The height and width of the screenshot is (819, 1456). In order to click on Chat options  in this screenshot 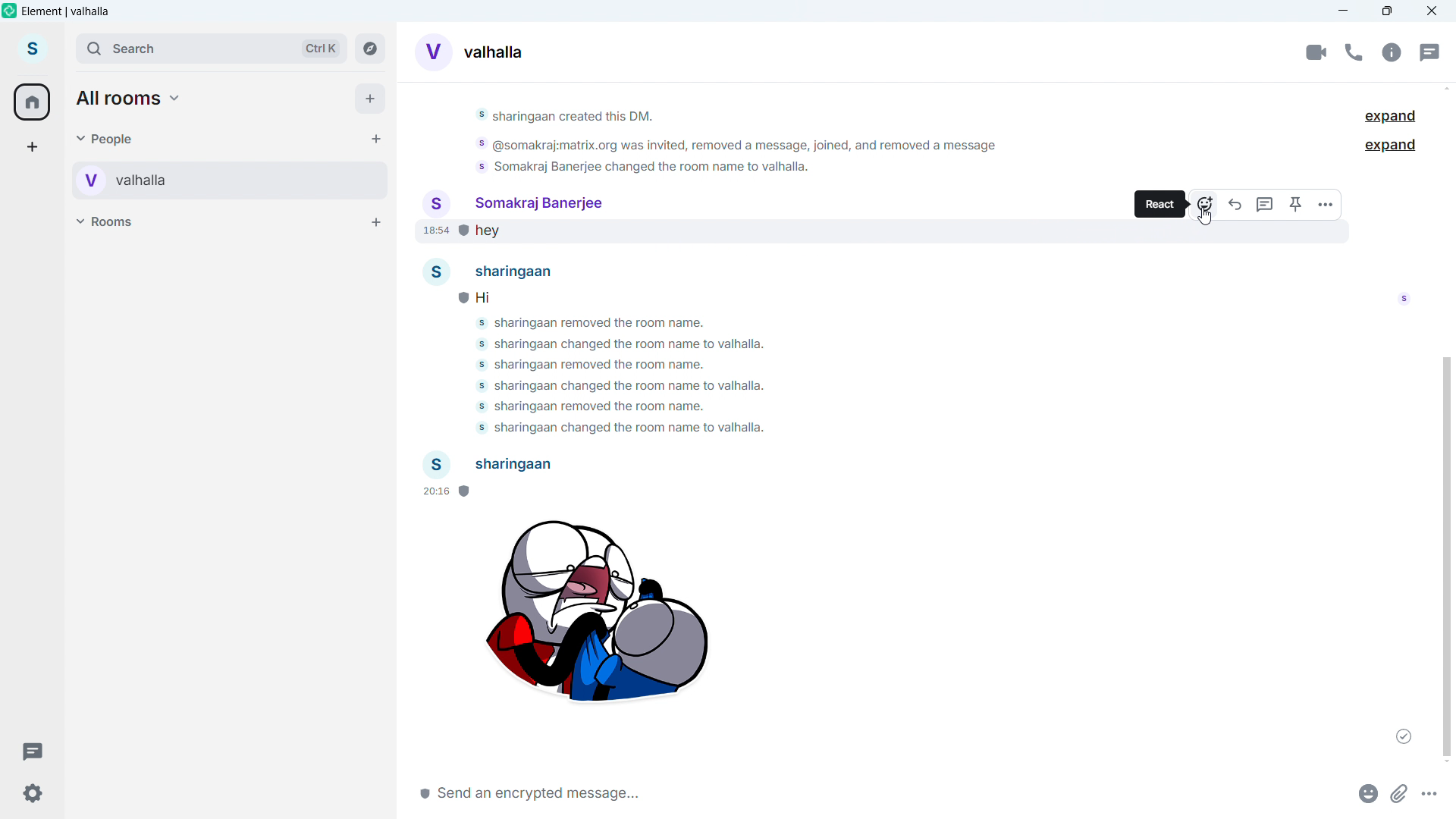, I will do `click(1391, 52)`.